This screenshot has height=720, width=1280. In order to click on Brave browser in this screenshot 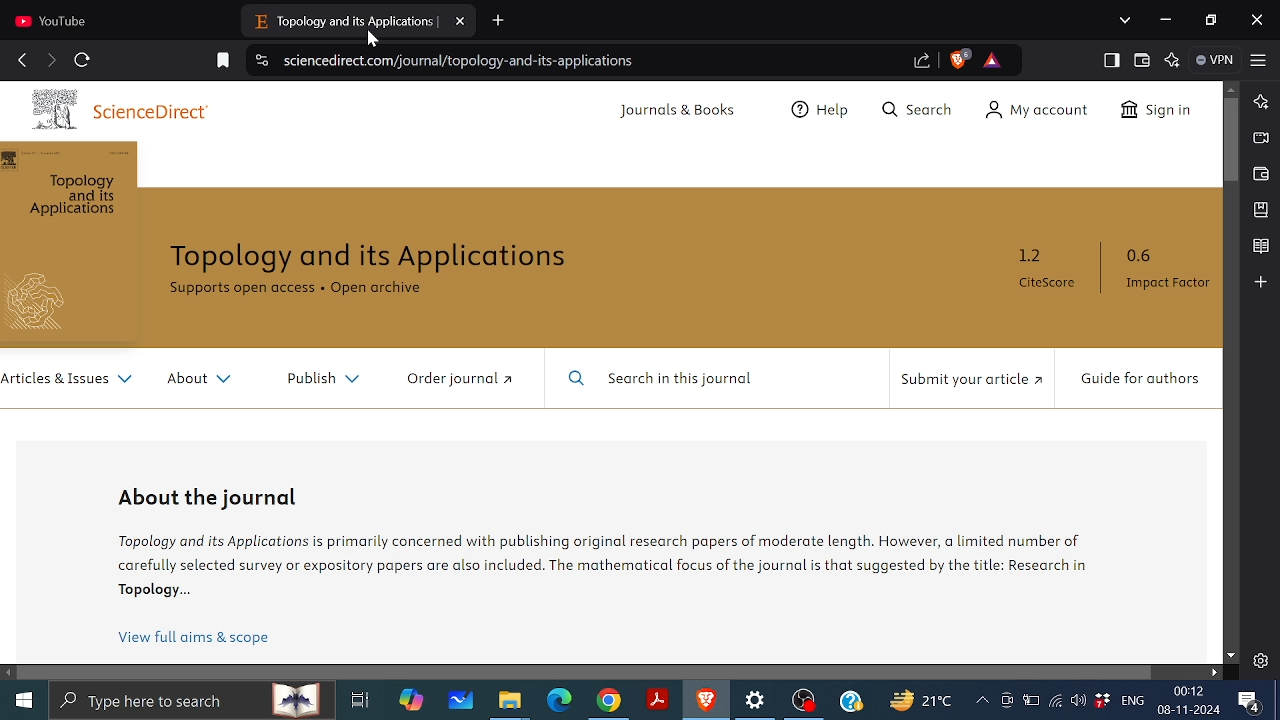, I will do `click(706, 700)`.